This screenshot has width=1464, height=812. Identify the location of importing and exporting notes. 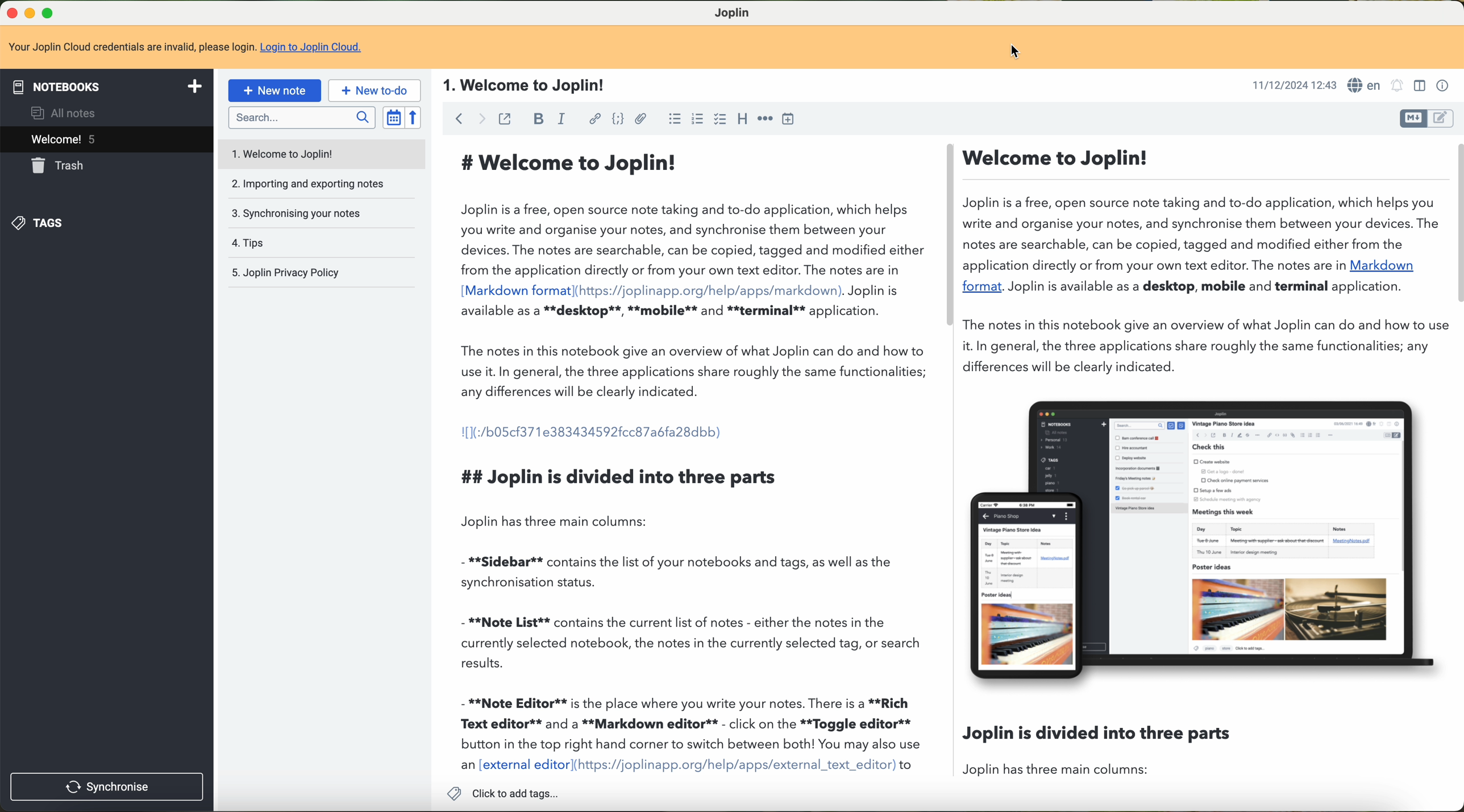
(323, 184).